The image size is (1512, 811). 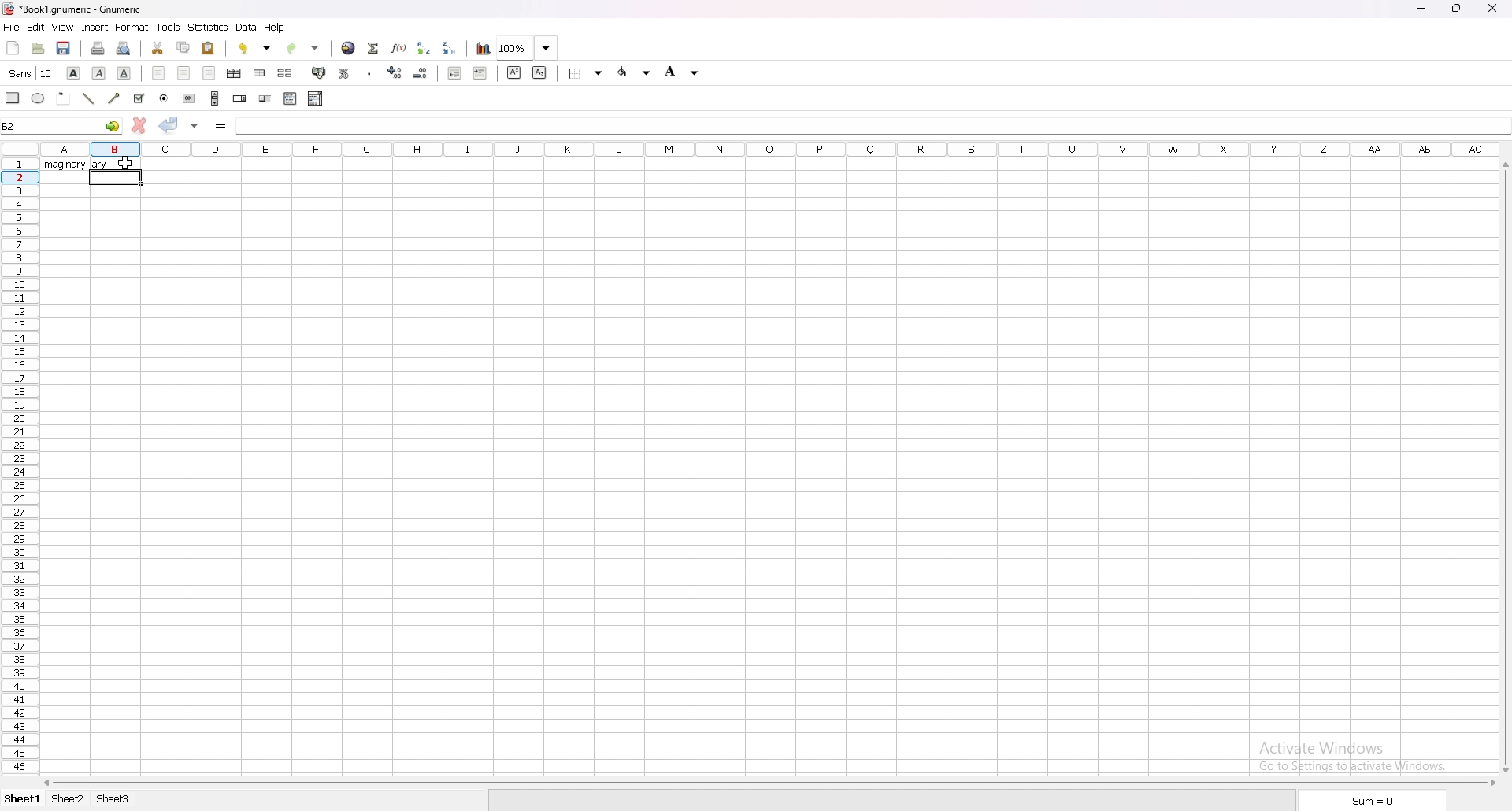 What do you see at coordinates (95, 28) in the screenshot?
I see `insert` at bounding box center [95, 28].